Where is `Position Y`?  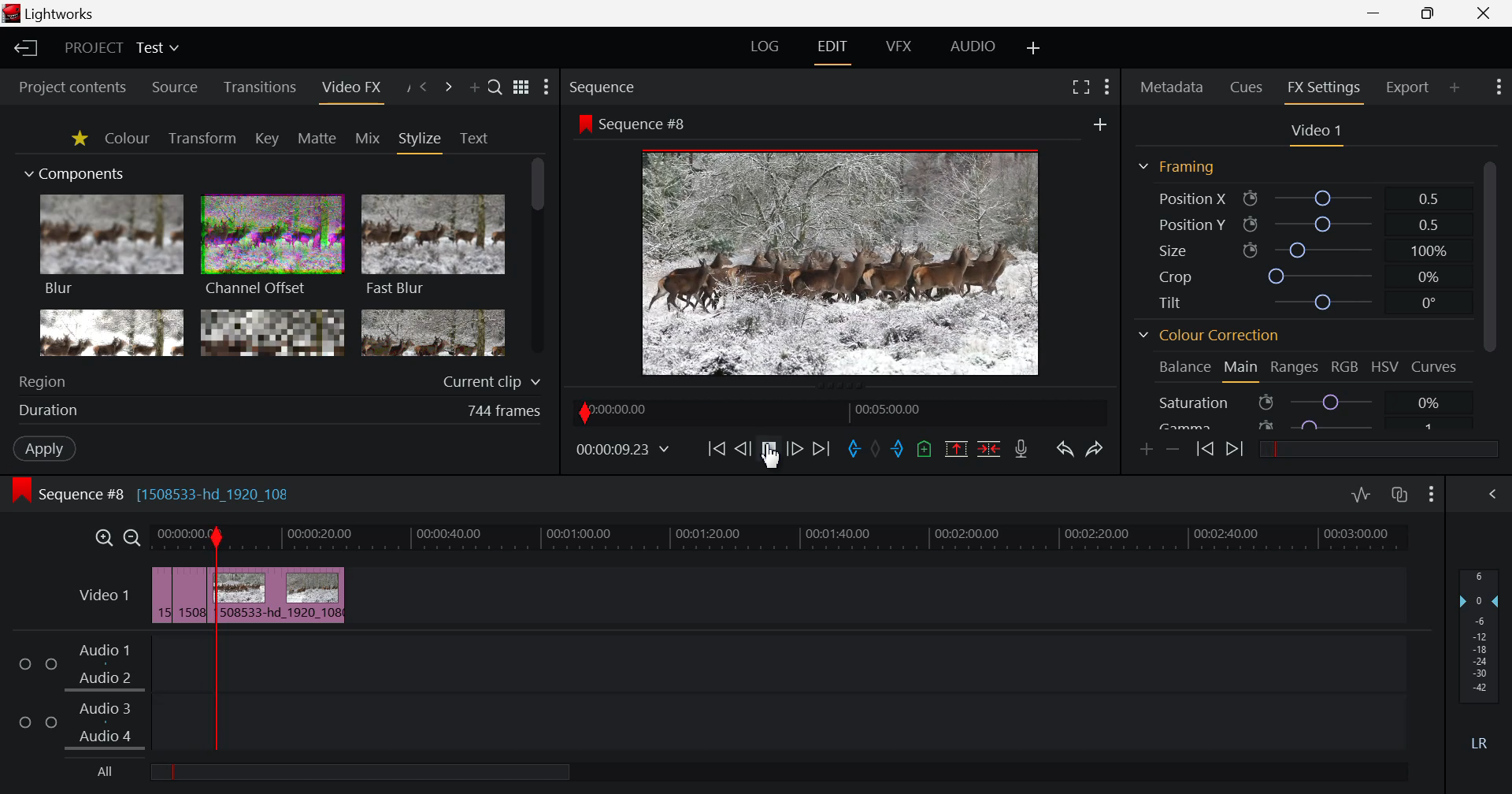 Position Y is located at coordinates (1299, 224).